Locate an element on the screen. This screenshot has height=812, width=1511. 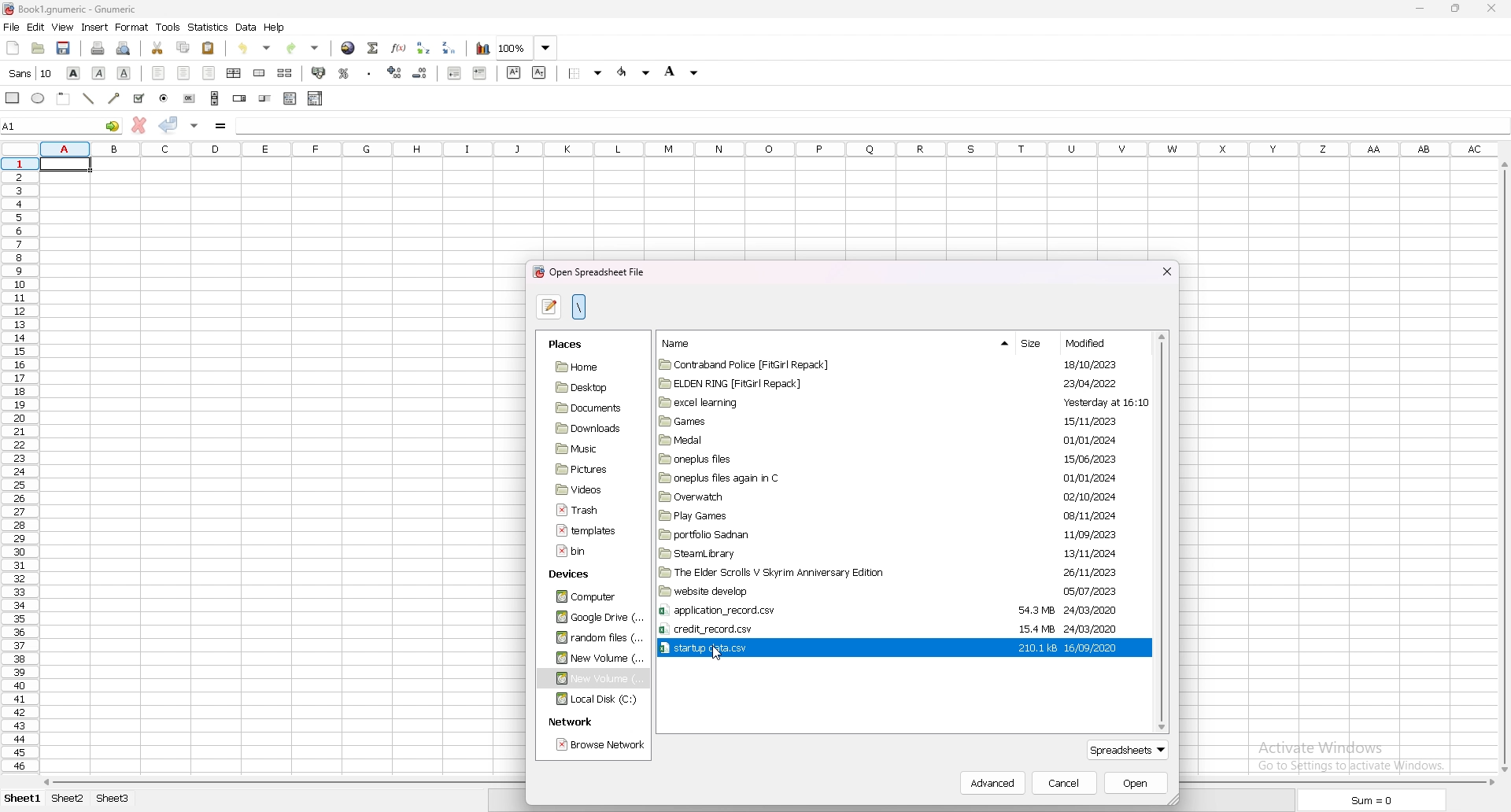
Sum = 0 is located at coordinates (1368, 795).